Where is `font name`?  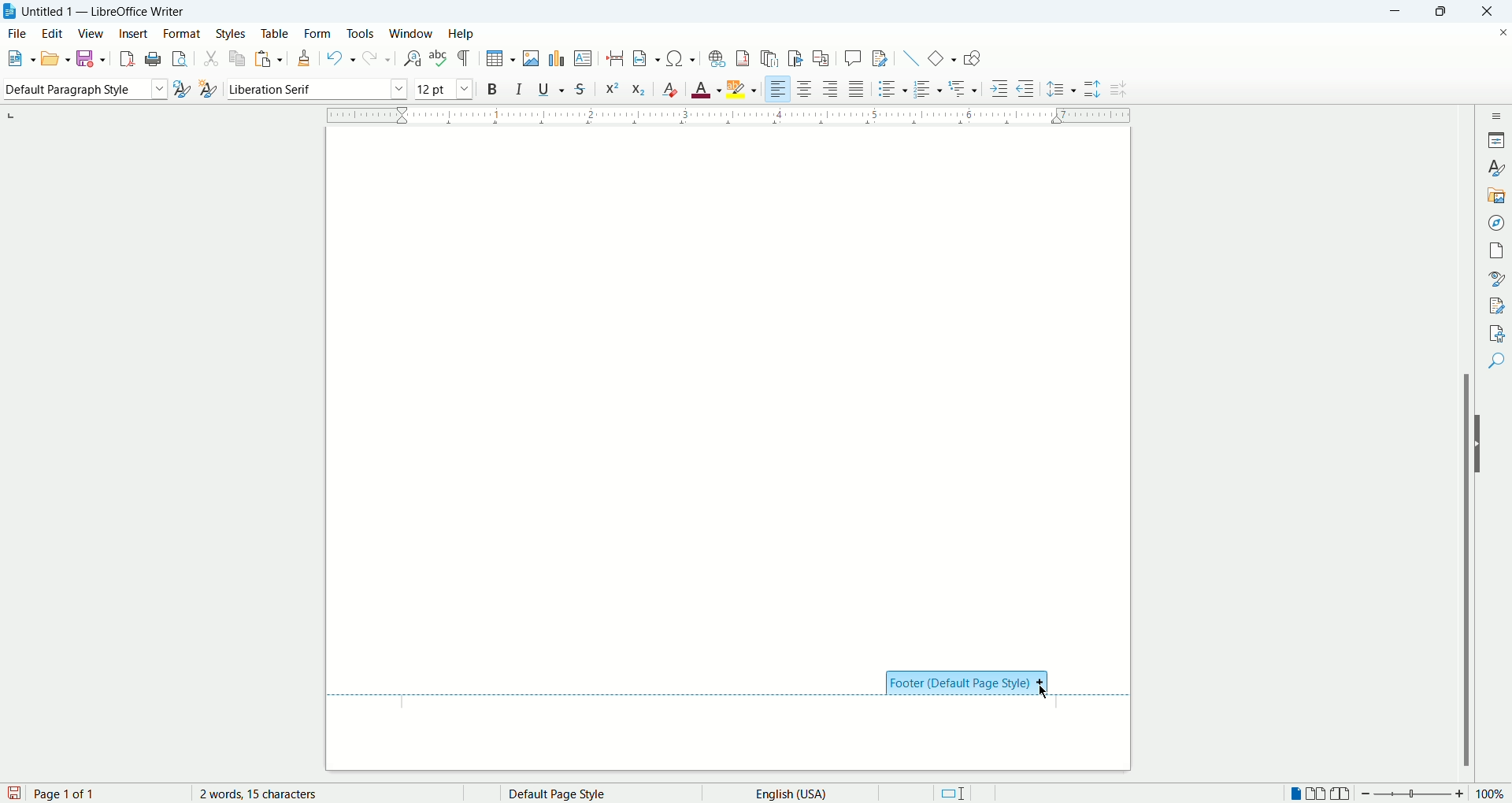
font name is located at coordinates (317, 89).